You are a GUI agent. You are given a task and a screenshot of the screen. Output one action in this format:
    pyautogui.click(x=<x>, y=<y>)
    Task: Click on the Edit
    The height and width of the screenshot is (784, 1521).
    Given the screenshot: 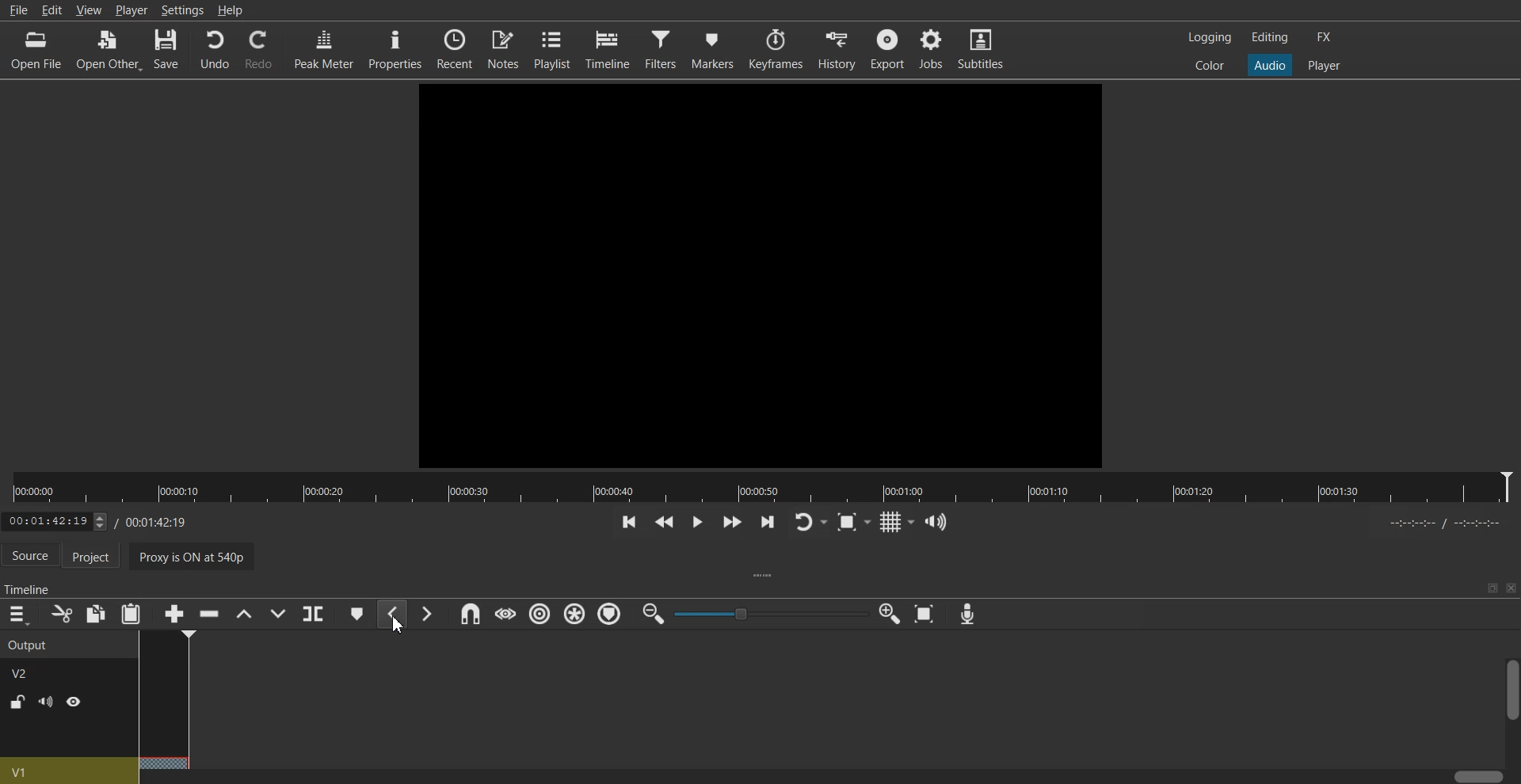 What is the action you would take?
    pyautogui.click(x=52, y=11)
    